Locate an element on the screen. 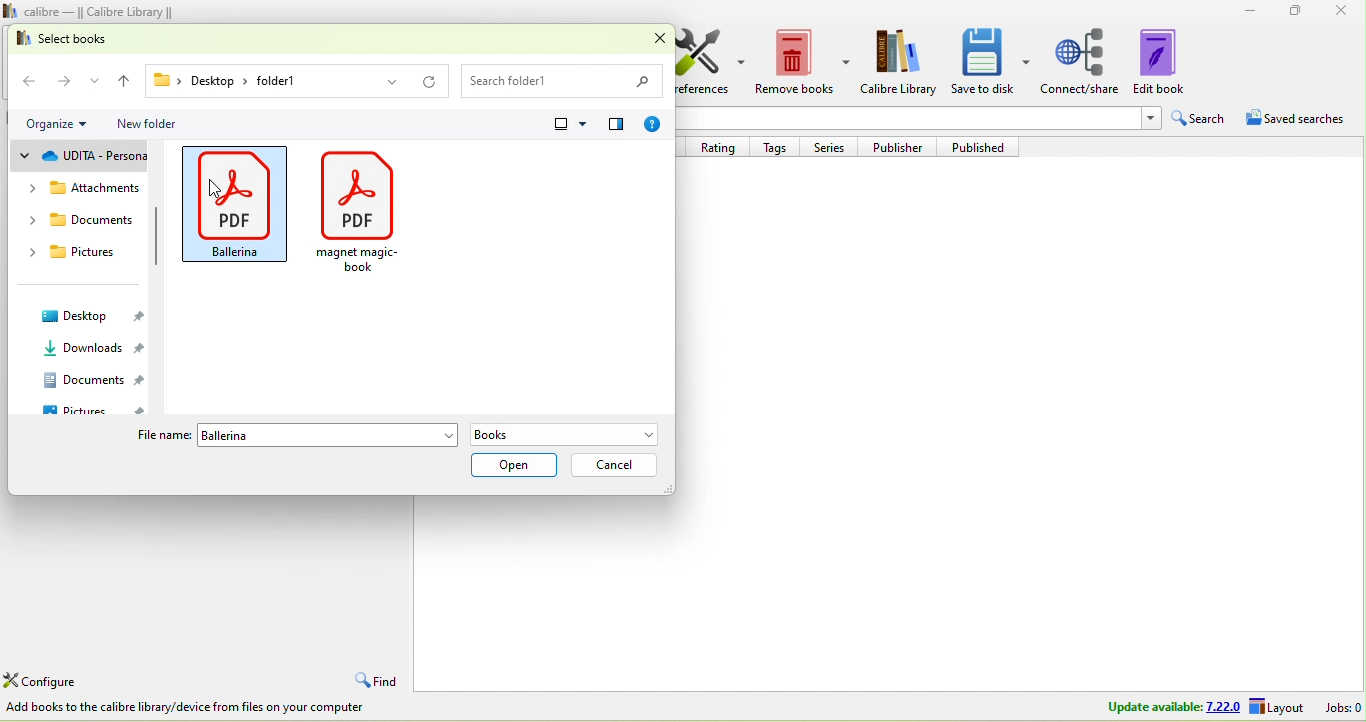  search folder 1 is located at coordinates (568, 79).